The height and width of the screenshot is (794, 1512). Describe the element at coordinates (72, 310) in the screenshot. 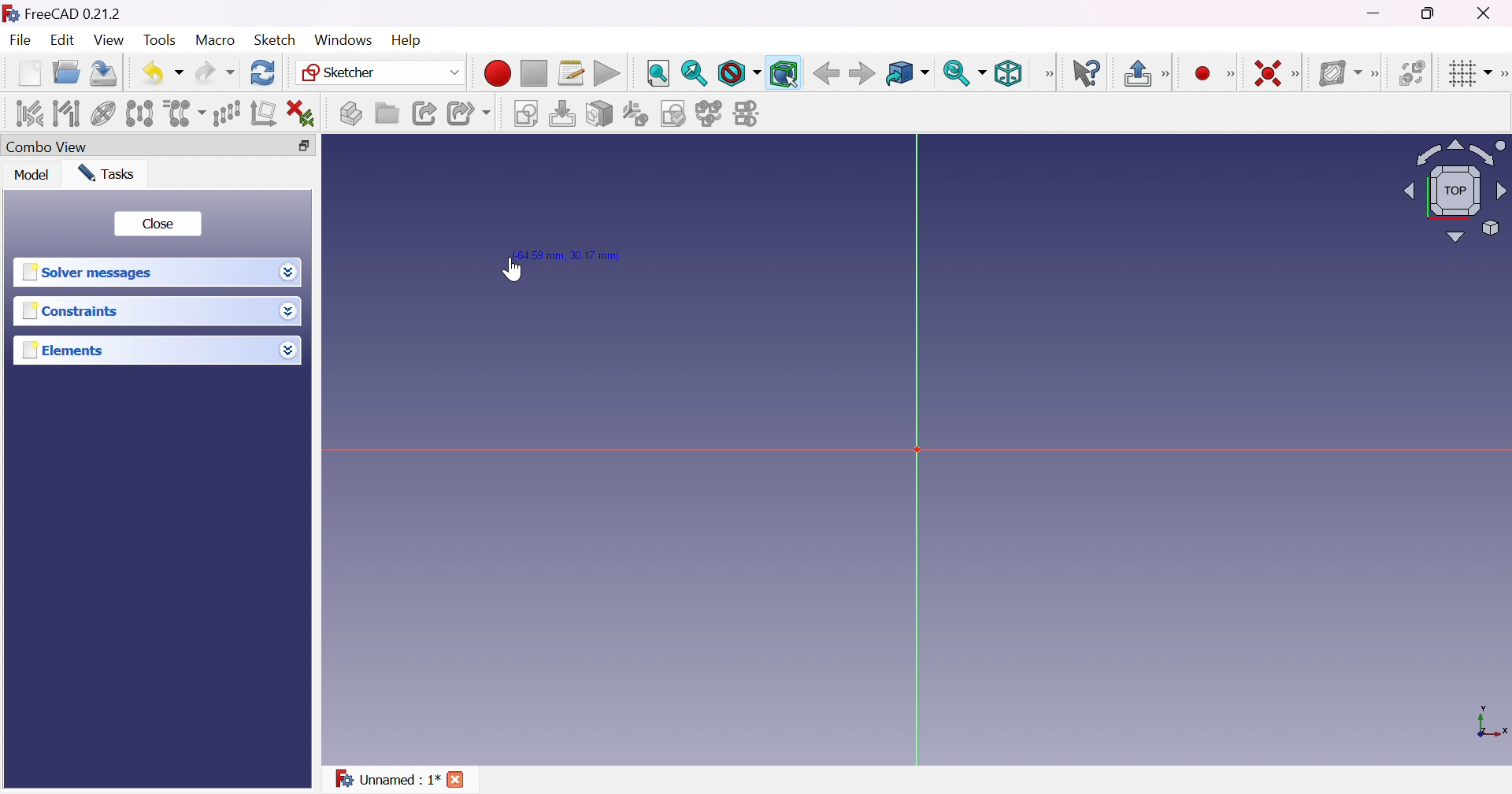

I see `Constraints` at that location.